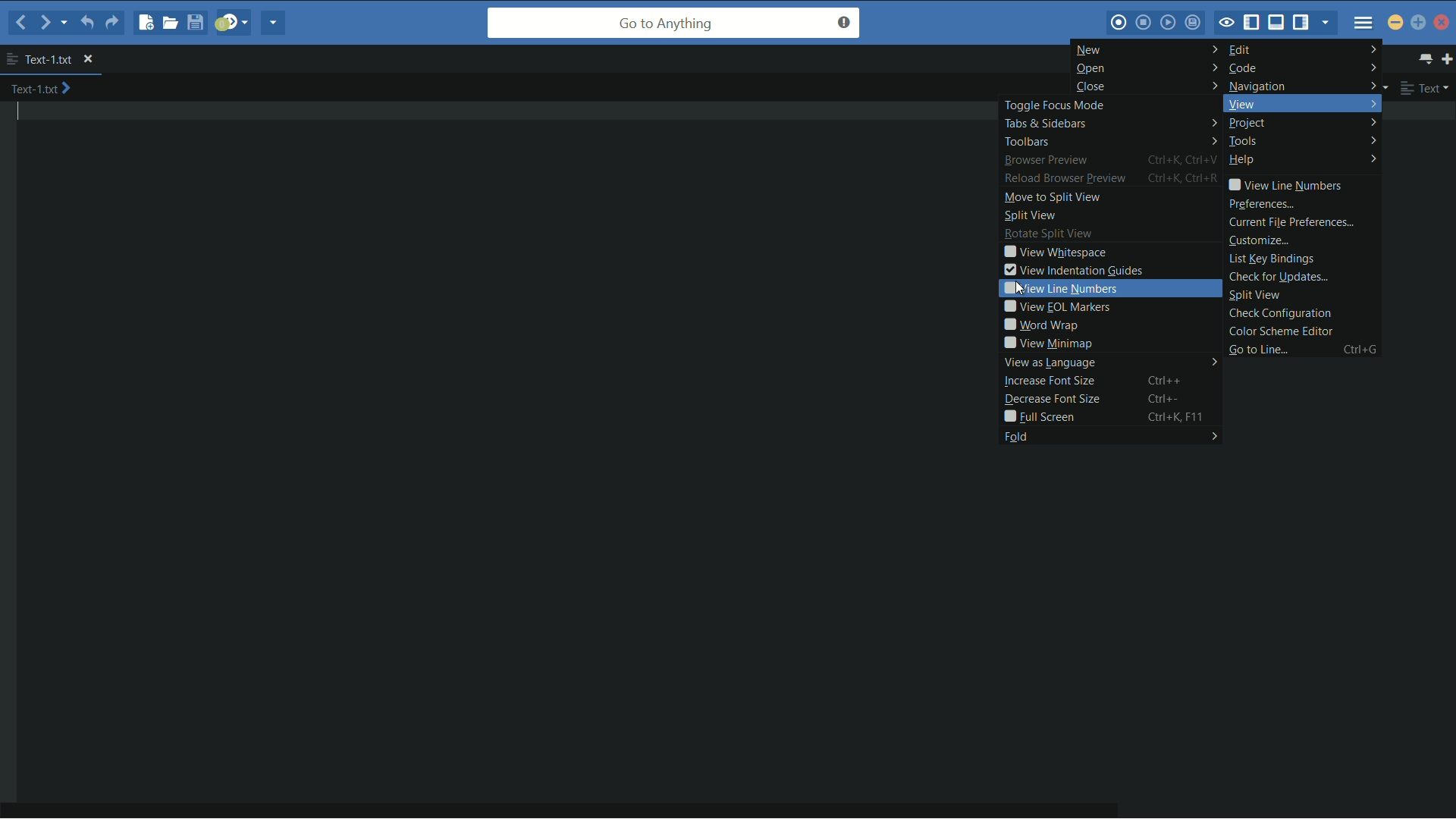 This screenshot has height=819, width=1456. What do you see at coordinates (1282, 331) in the screenshot?
I see `color scheme editor` at bounding box center [1282, 331].